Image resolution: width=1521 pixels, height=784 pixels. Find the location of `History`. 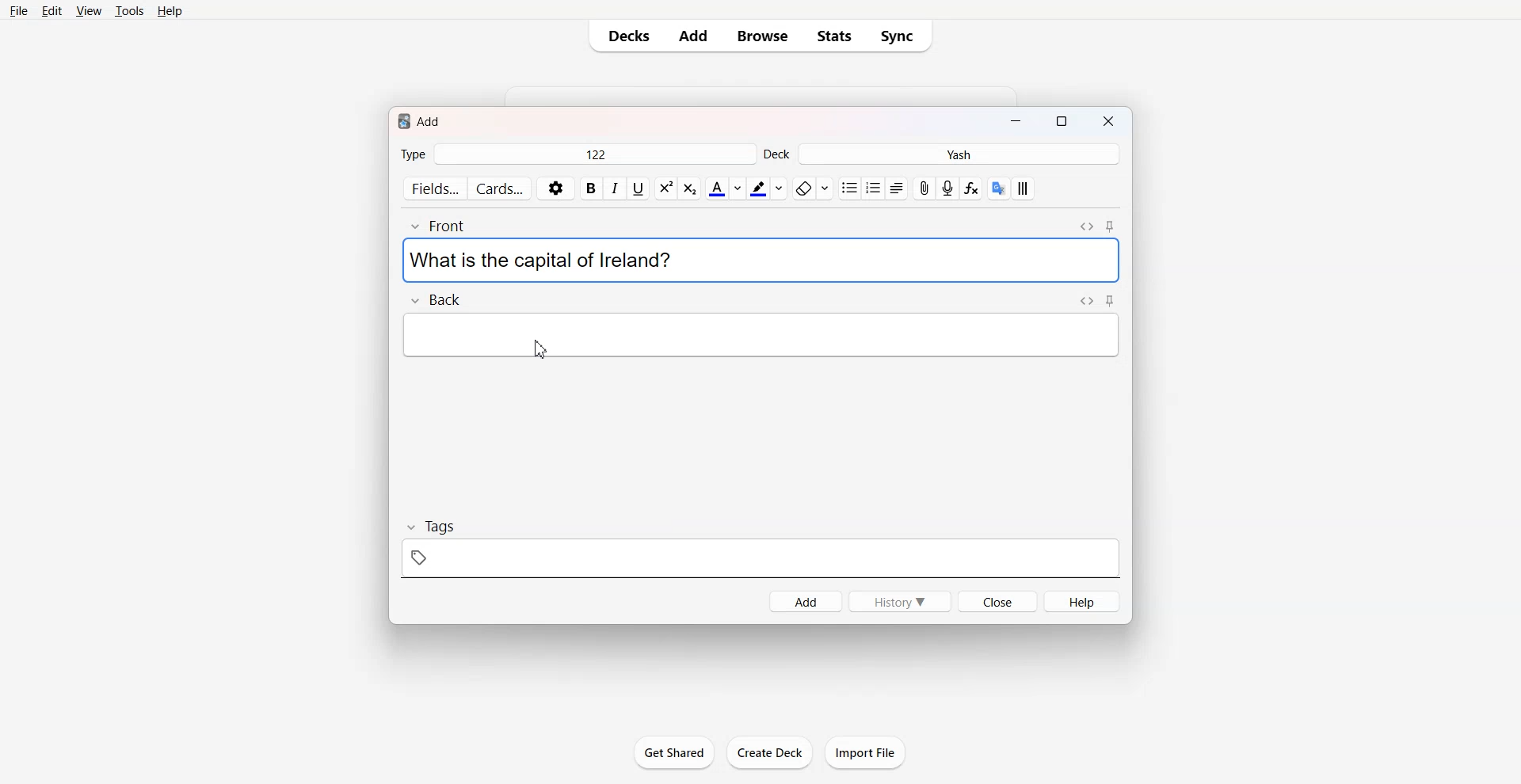

History is located at coordinates (898, 600).